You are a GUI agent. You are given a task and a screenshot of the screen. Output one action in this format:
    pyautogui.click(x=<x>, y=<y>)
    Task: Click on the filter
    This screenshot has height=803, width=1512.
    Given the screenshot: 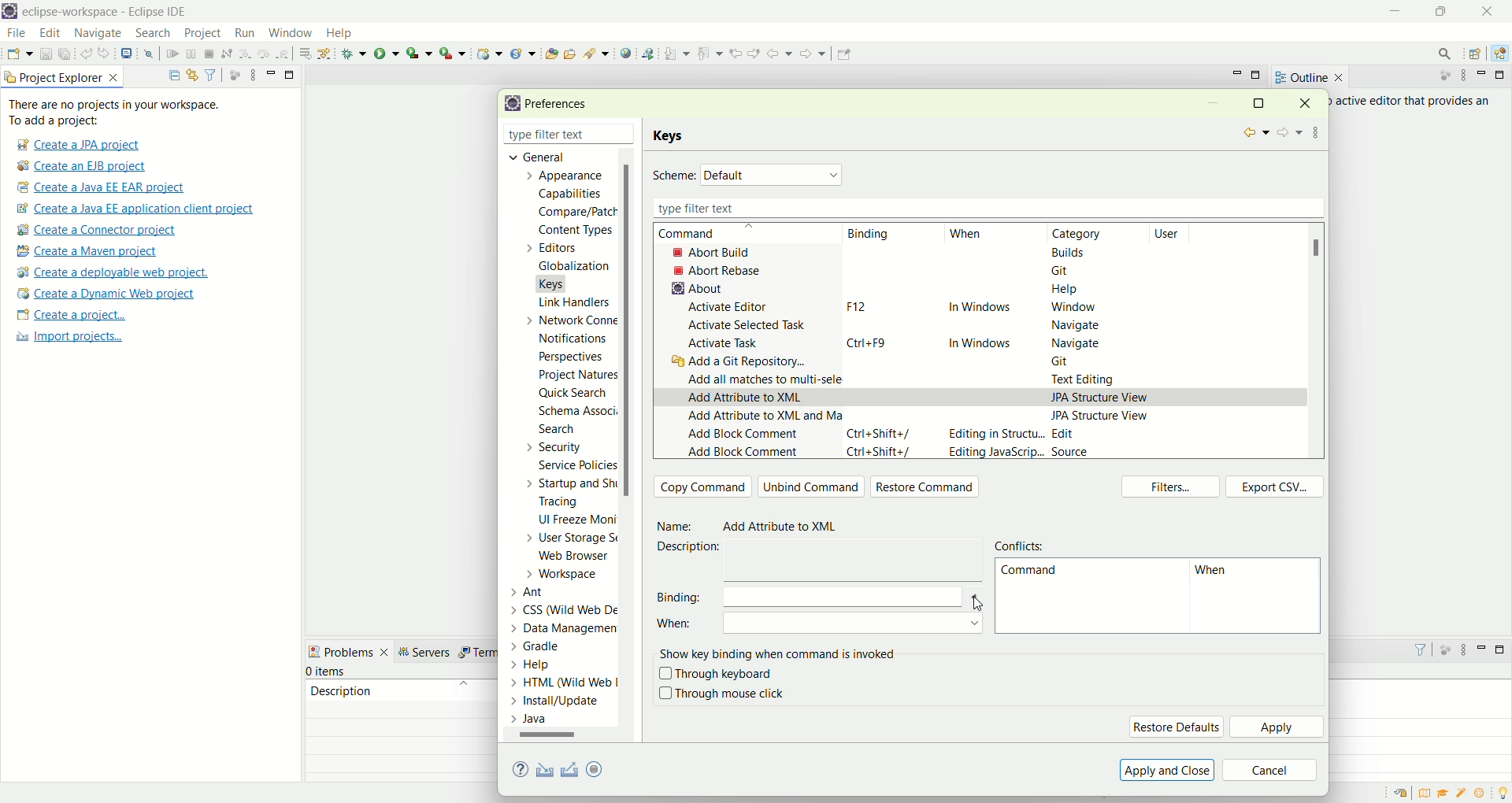 What is the action you would take?
    pyautogui.click(x=210, y=74)
    